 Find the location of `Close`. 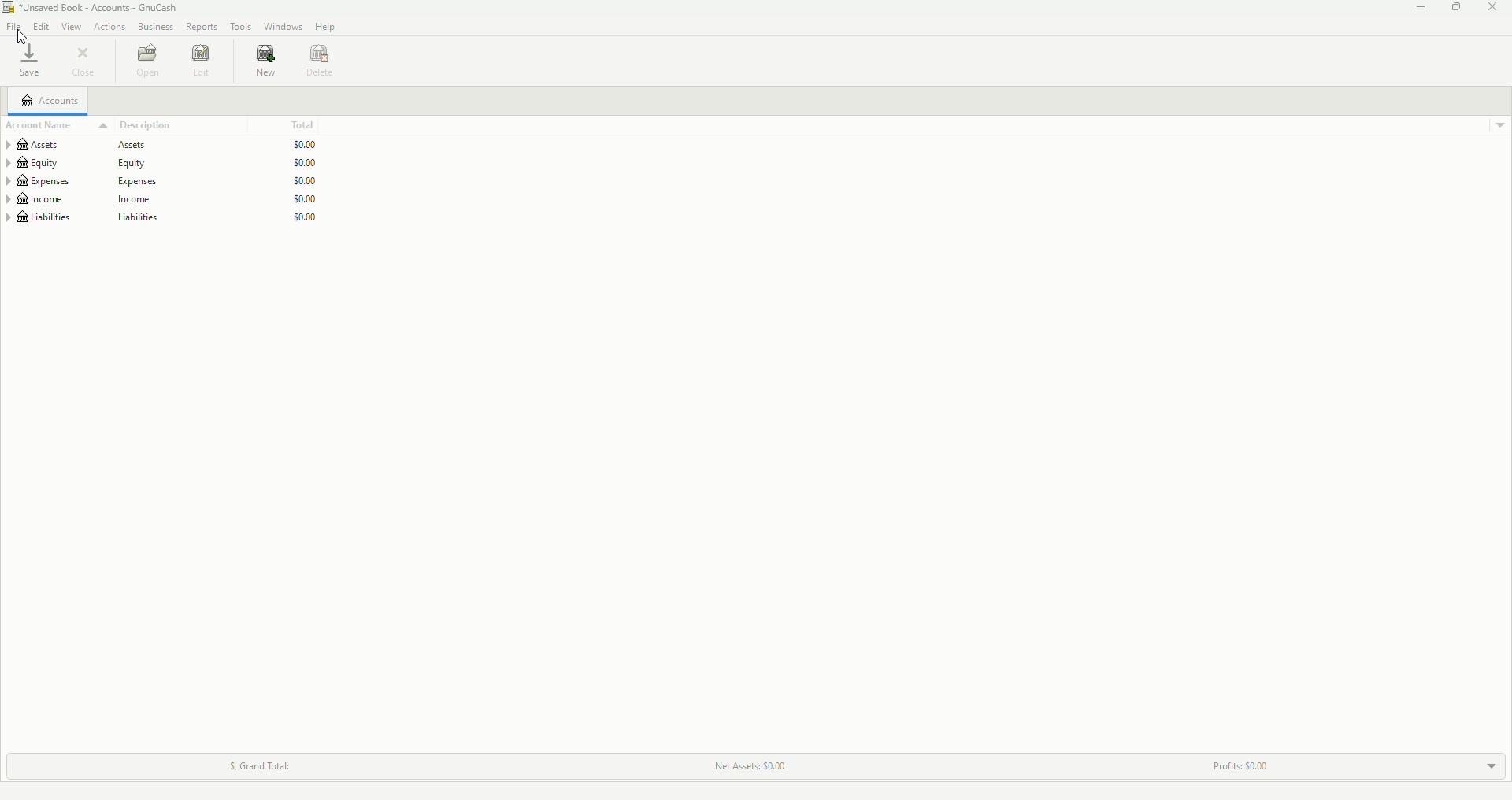

Close is located at coordinates (84, 61).